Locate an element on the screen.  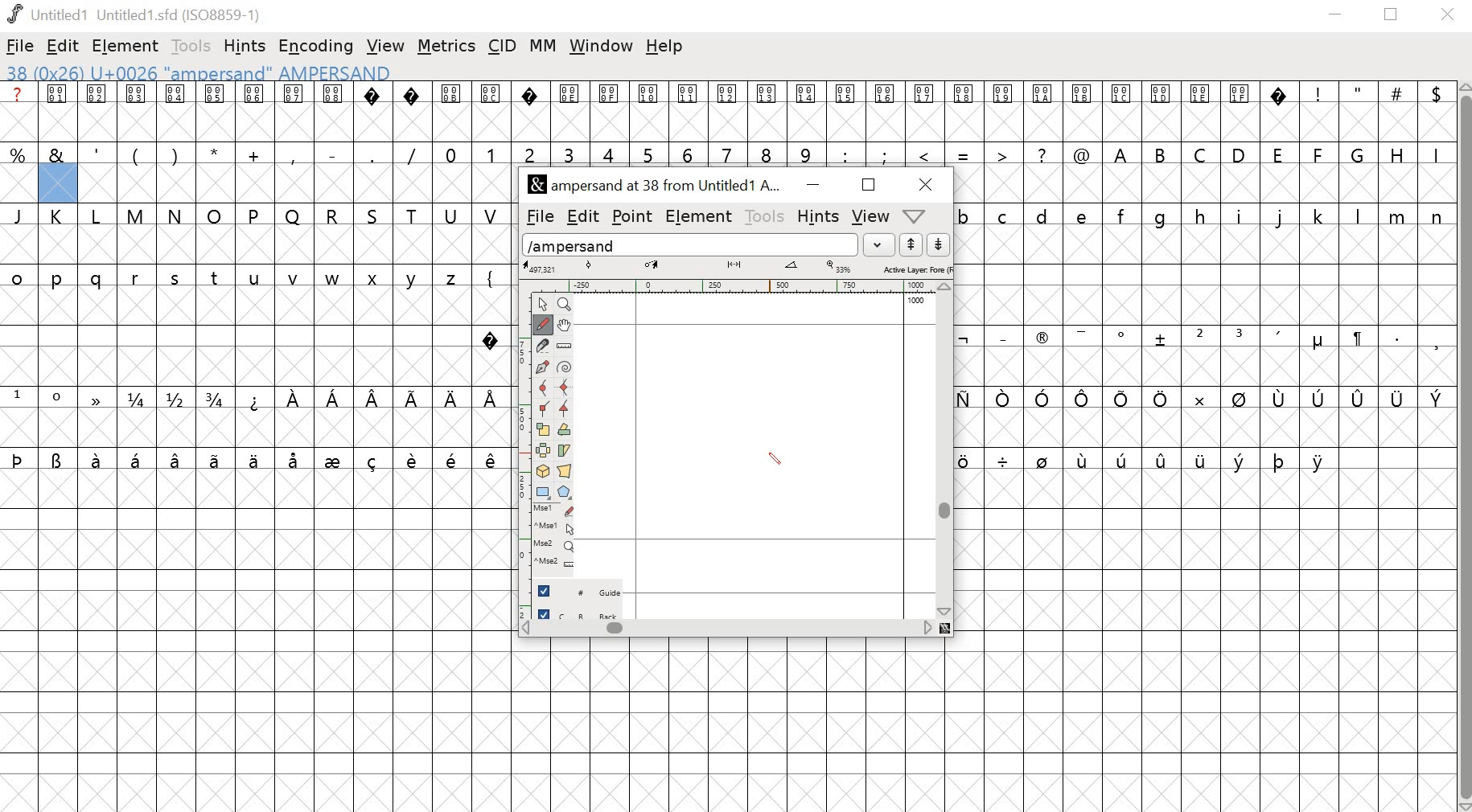
tools is located at coordinates (187, 45).